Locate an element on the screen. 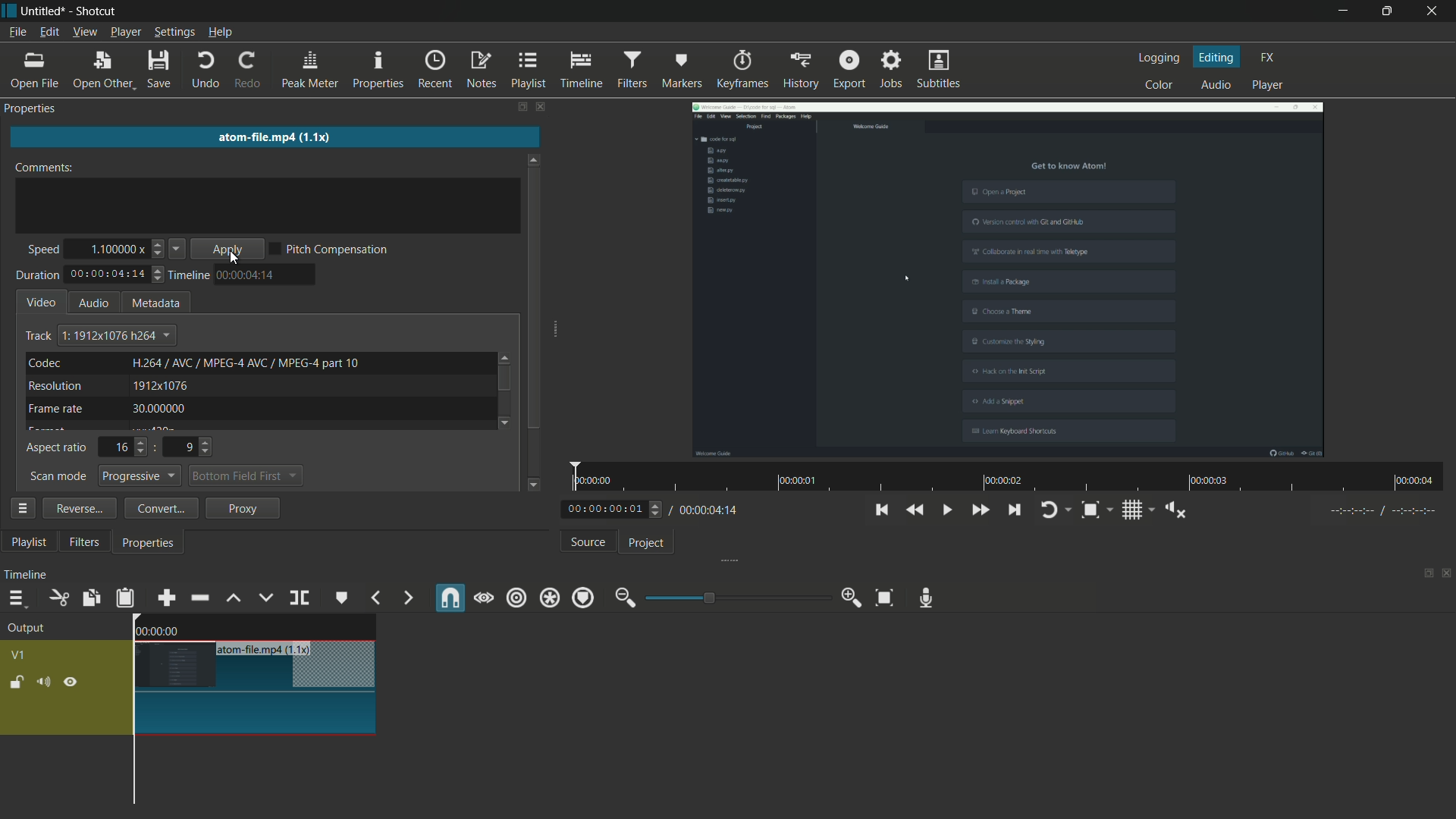  timeline is located at coordinates (582, 70).